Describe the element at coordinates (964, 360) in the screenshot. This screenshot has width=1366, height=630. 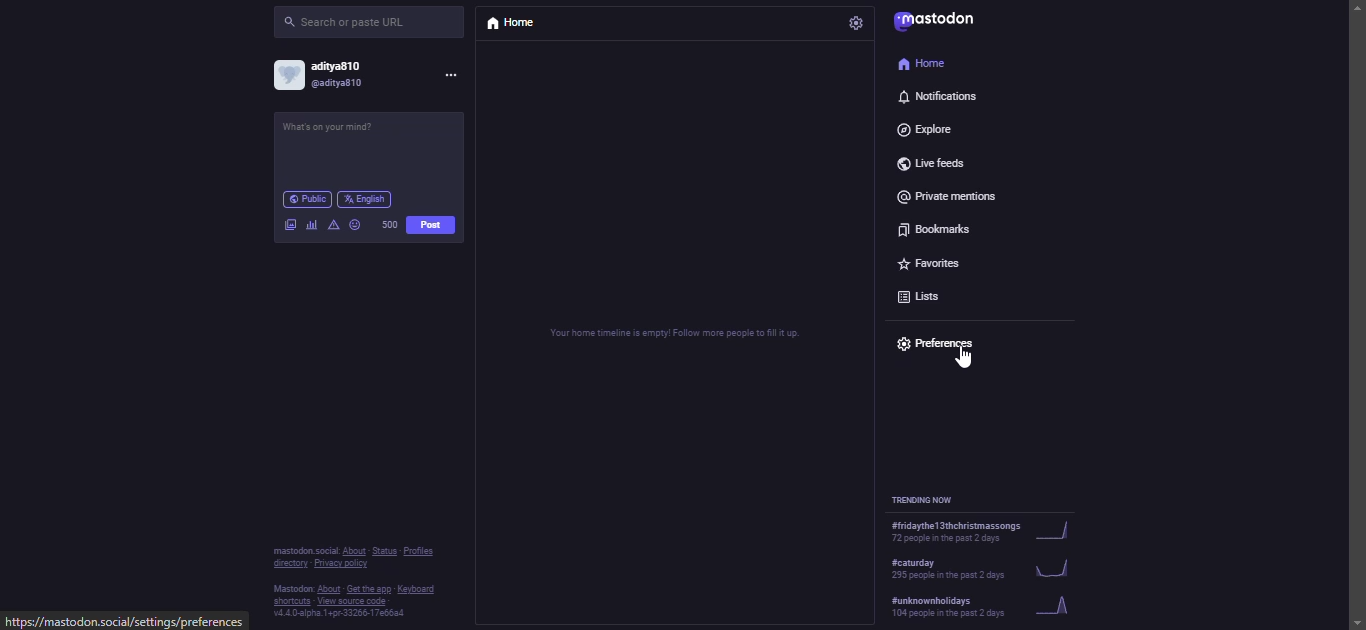
I see `cursor` at that location.